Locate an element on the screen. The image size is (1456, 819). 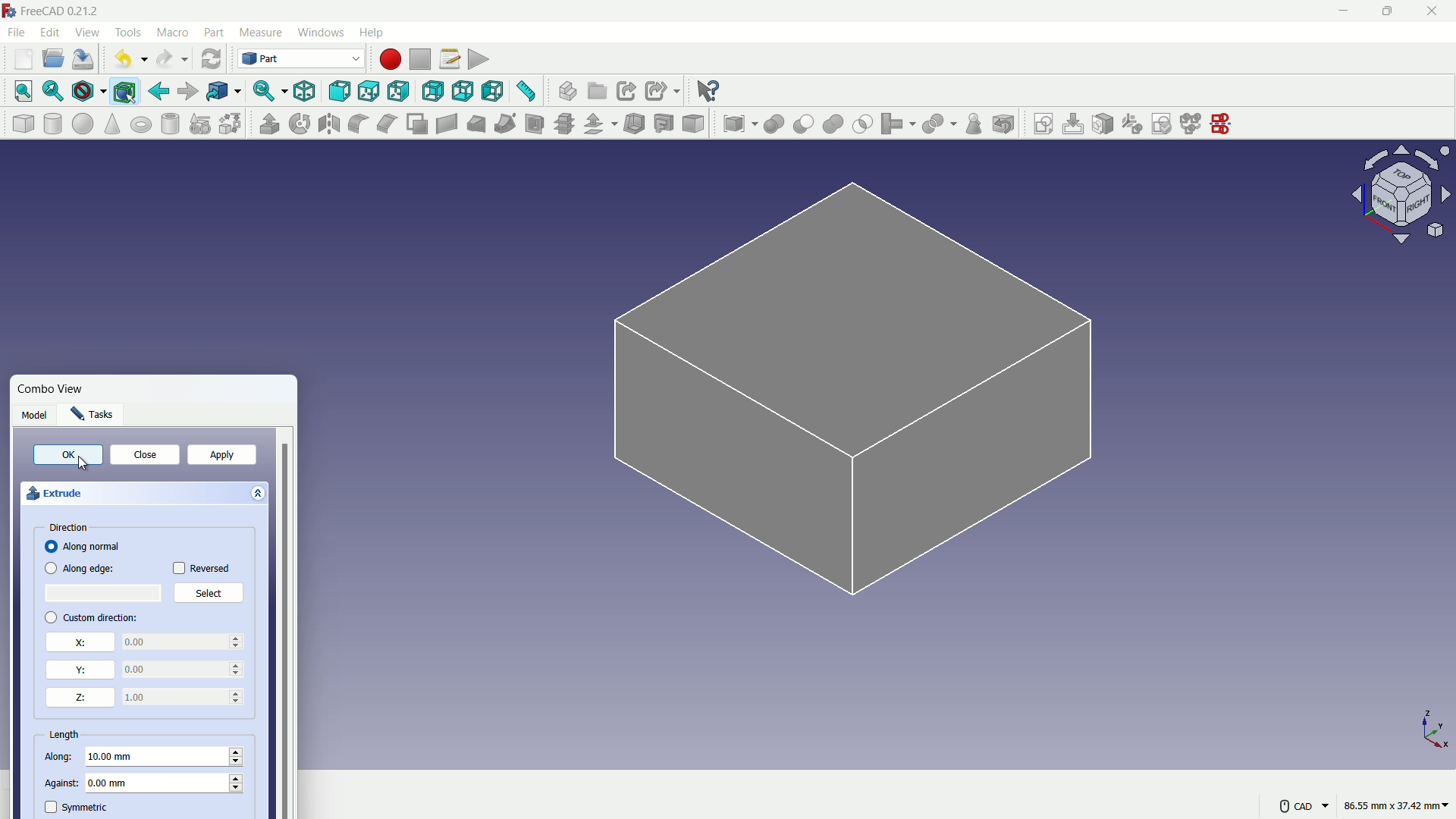
macro settings is located at coordinates (450, 59).